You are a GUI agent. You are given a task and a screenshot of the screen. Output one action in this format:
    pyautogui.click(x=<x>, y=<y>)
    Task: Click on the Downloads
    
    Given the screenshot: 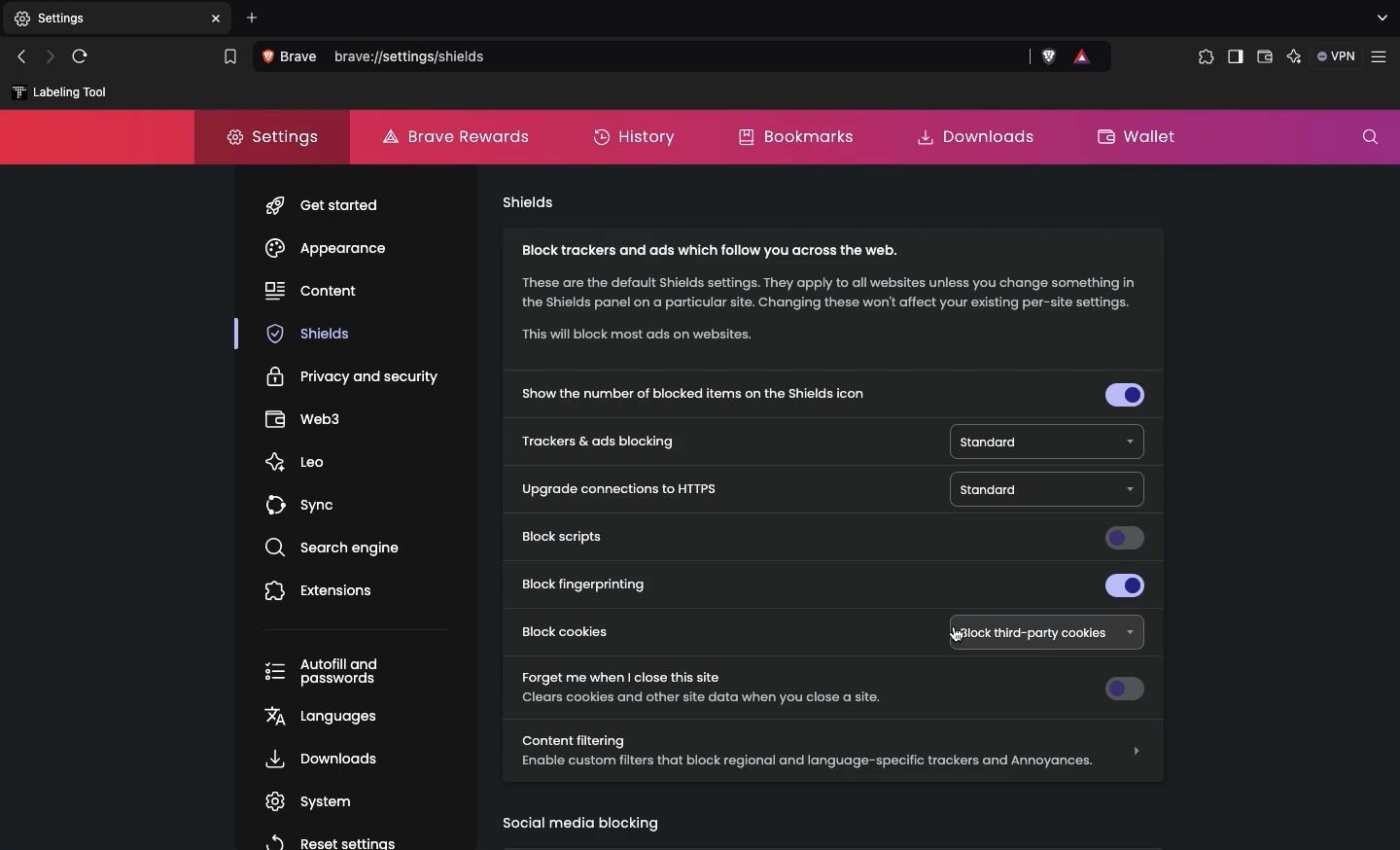 What is the action you would take?
    pyautogui.click(x=980, y=139)
    